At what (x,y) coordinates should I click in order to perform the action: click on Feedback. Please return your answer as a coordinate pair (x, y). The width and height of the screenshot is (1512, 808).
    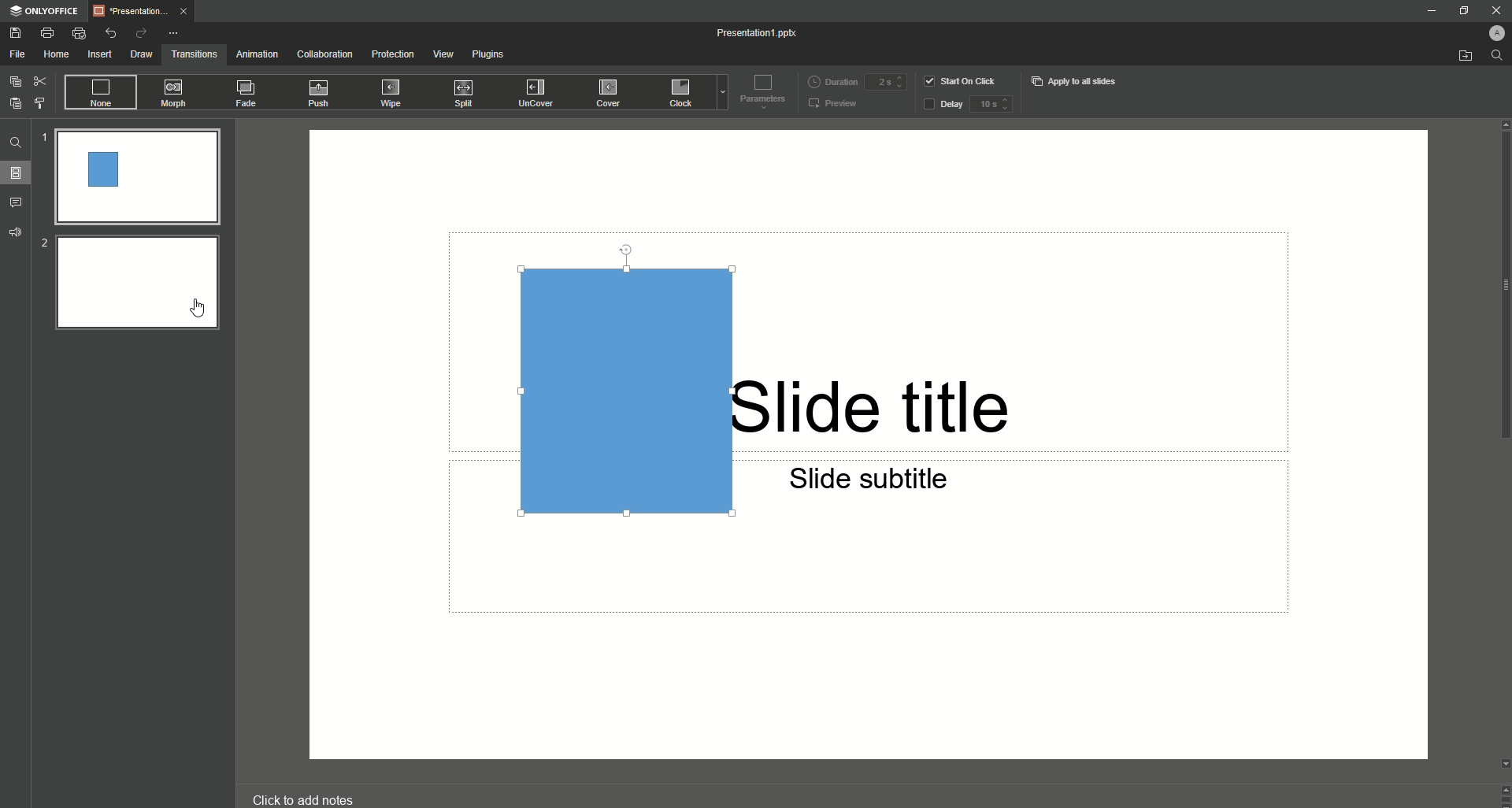
    Looking at the image, I should click on (14, 232).